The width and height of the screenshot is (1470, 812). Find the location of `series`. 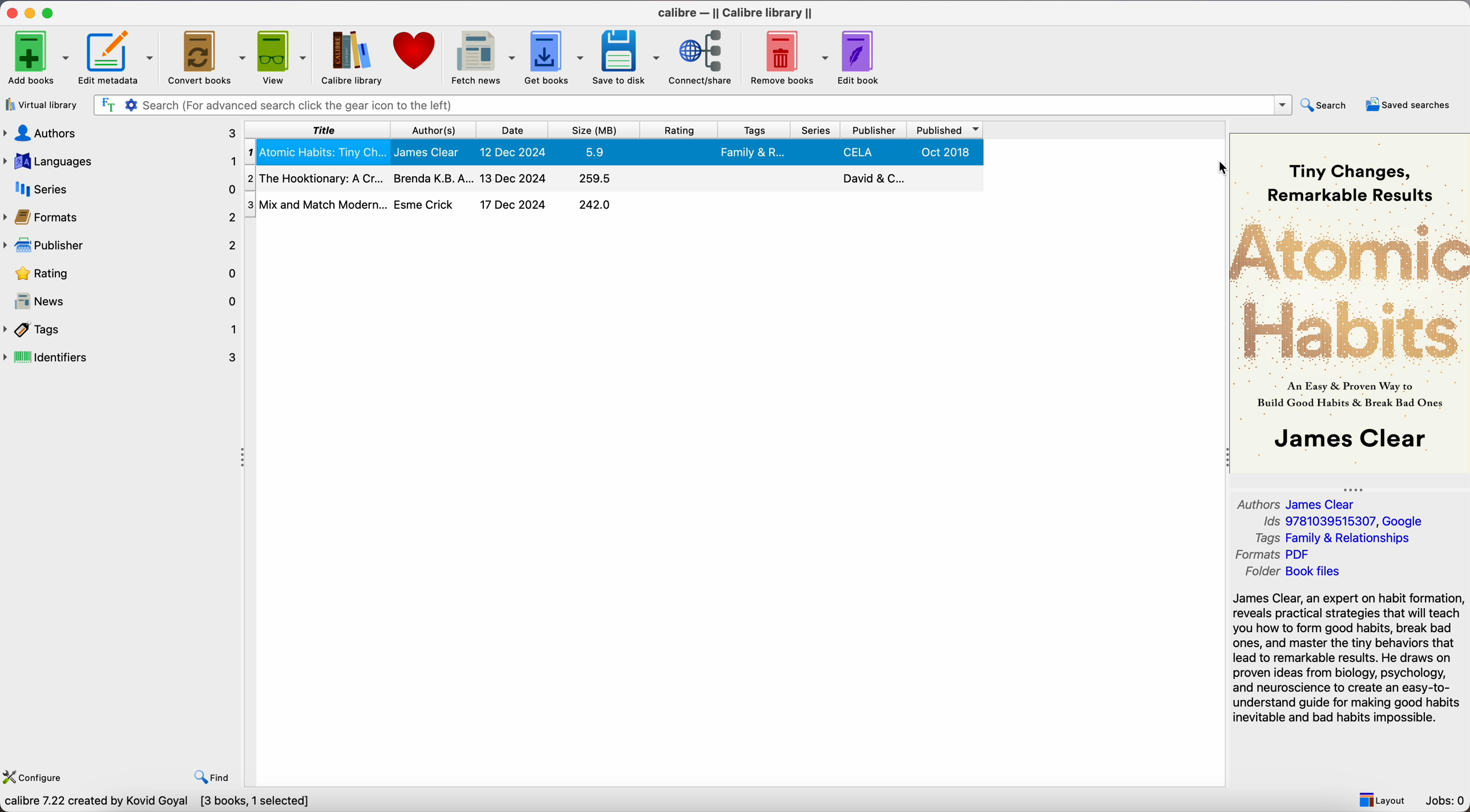

series is located at coordinates (816, 130).